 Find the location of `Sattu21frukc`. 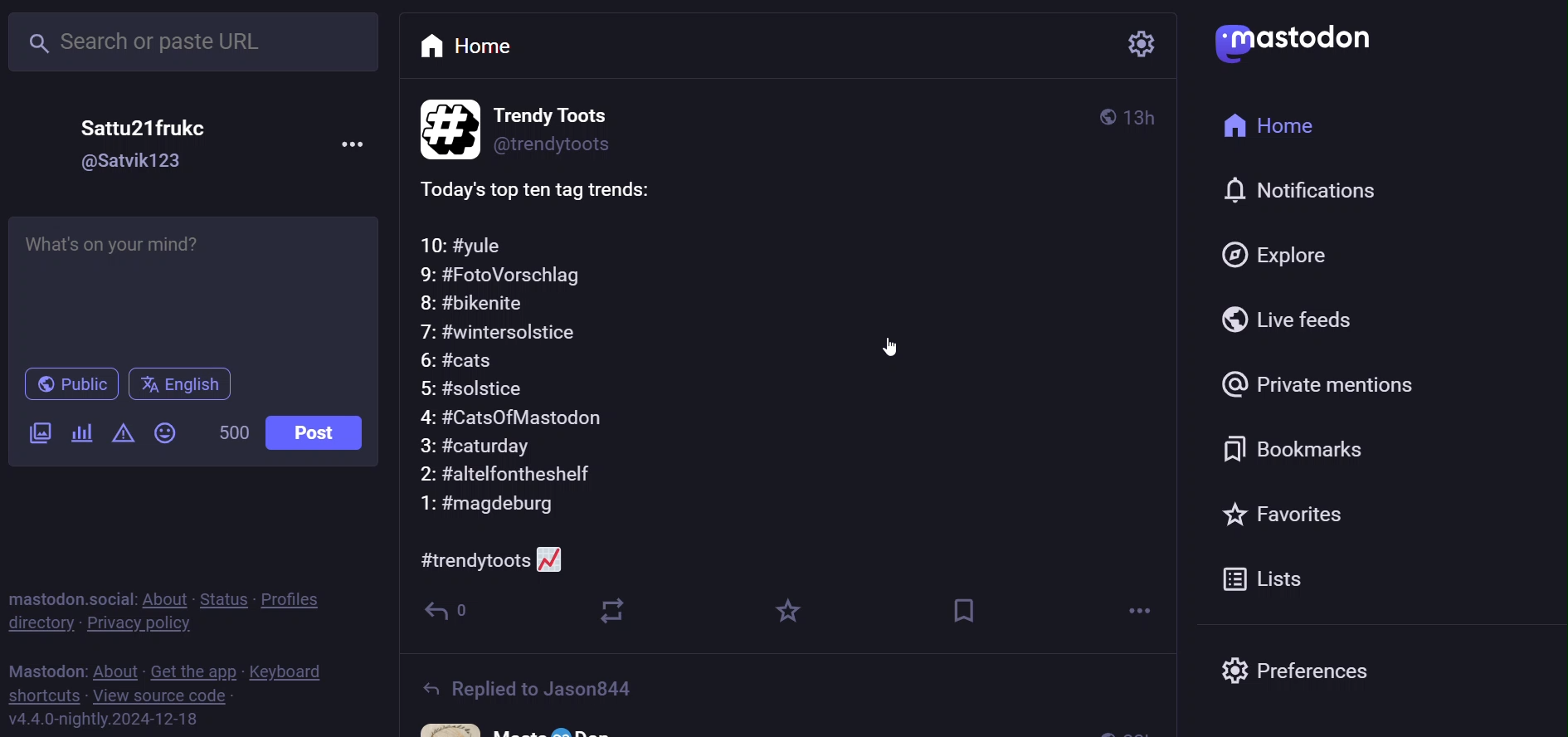

Sattu21frukc is located at coordinates (147, 125).